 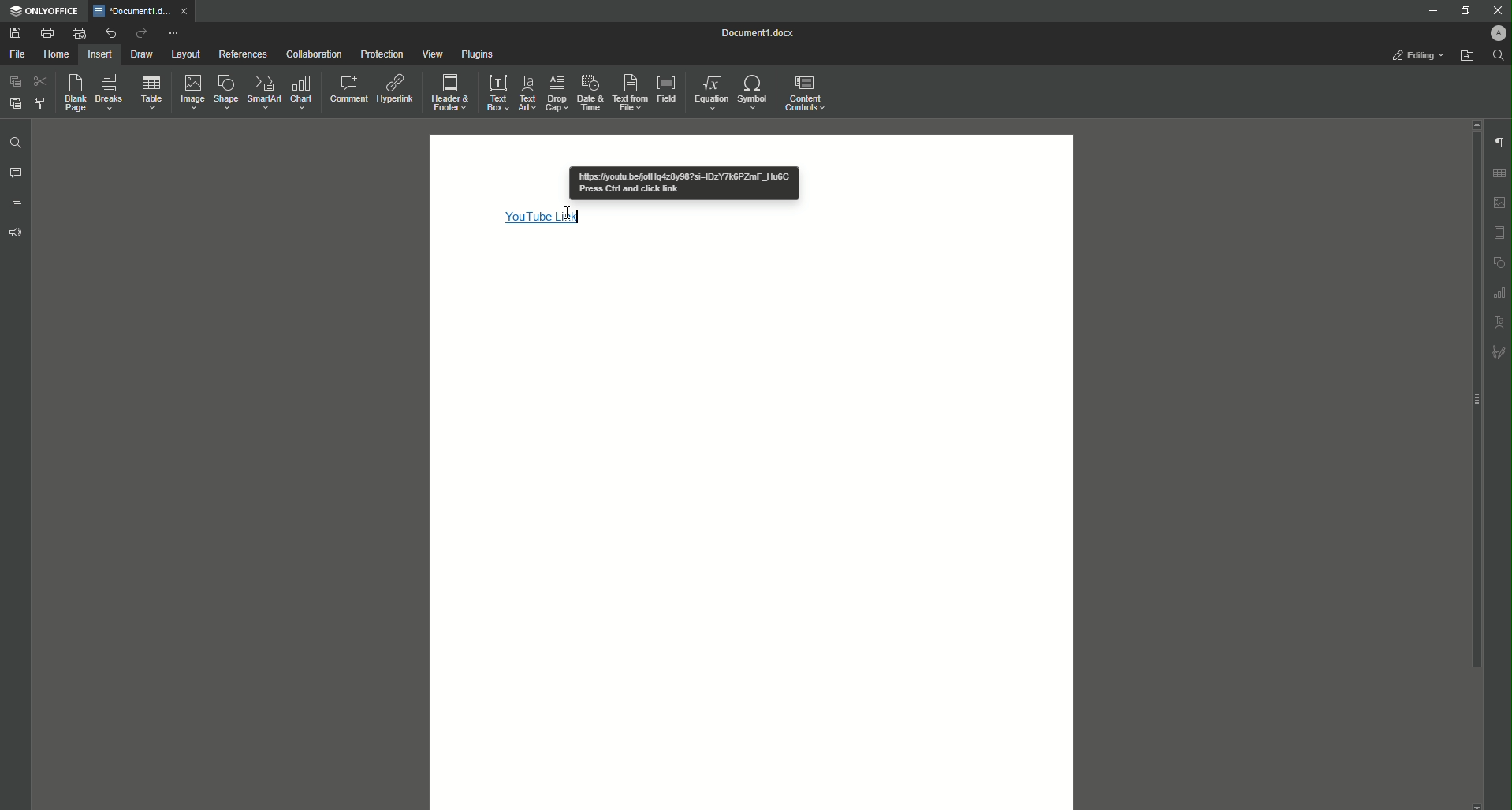 What do you see at coordinates (346, 91) in the screenshot?
I see `Comment` at bounding box center [346, 91].